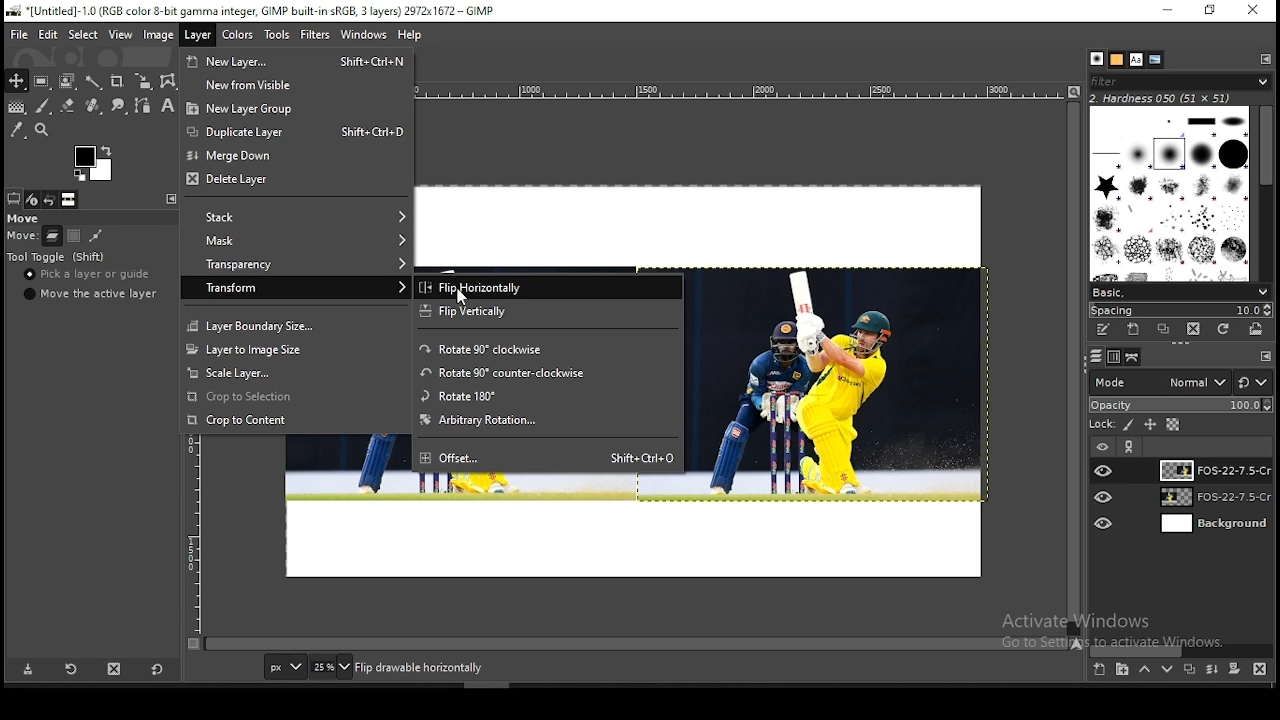  I want to click on wrap transform, so click(168, 81).